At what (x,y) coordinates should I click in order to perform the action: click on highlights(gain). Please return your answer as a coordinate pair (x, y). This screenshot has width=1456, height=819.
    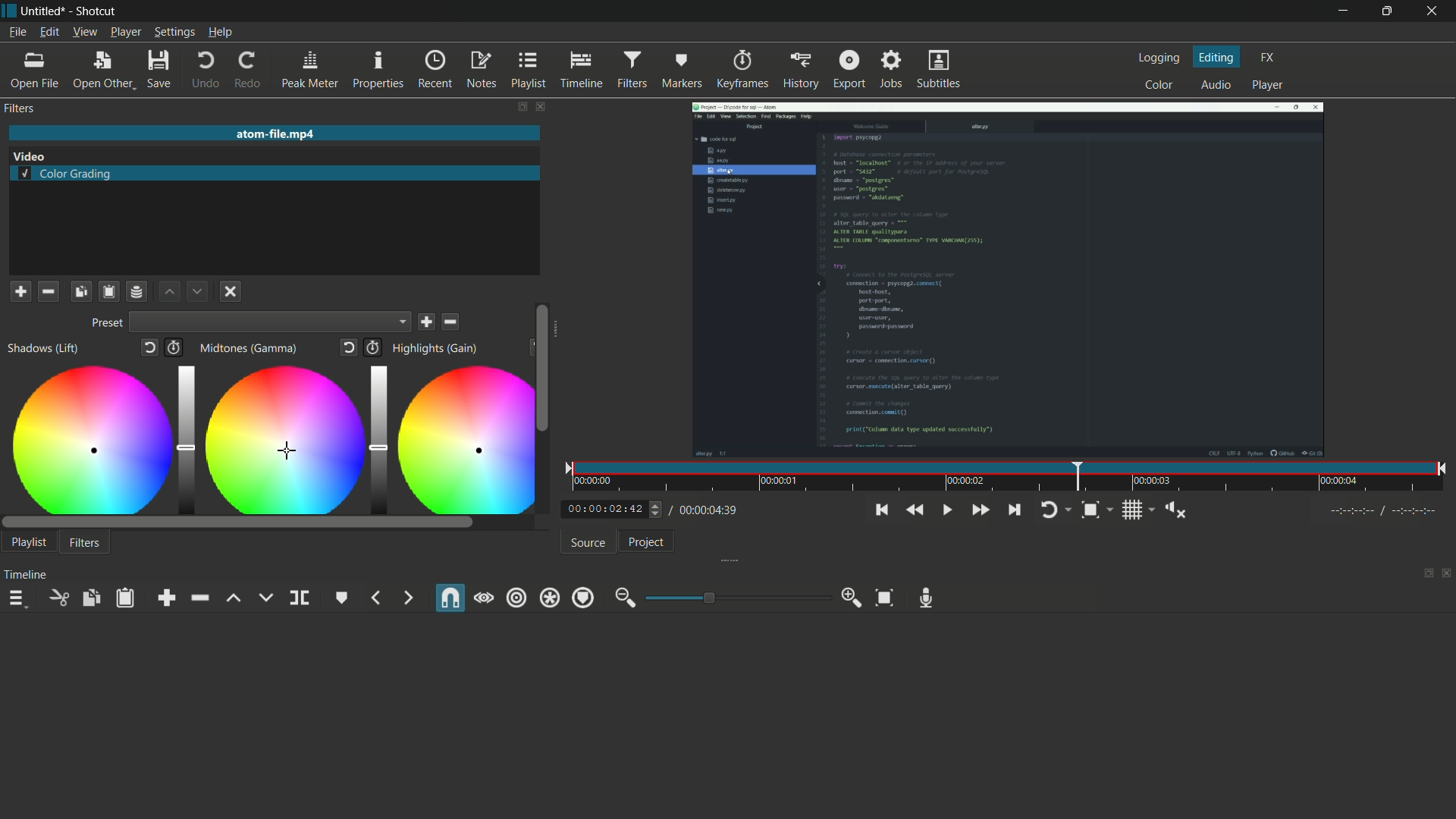
    Looking at the image, I should click on (437, 348).